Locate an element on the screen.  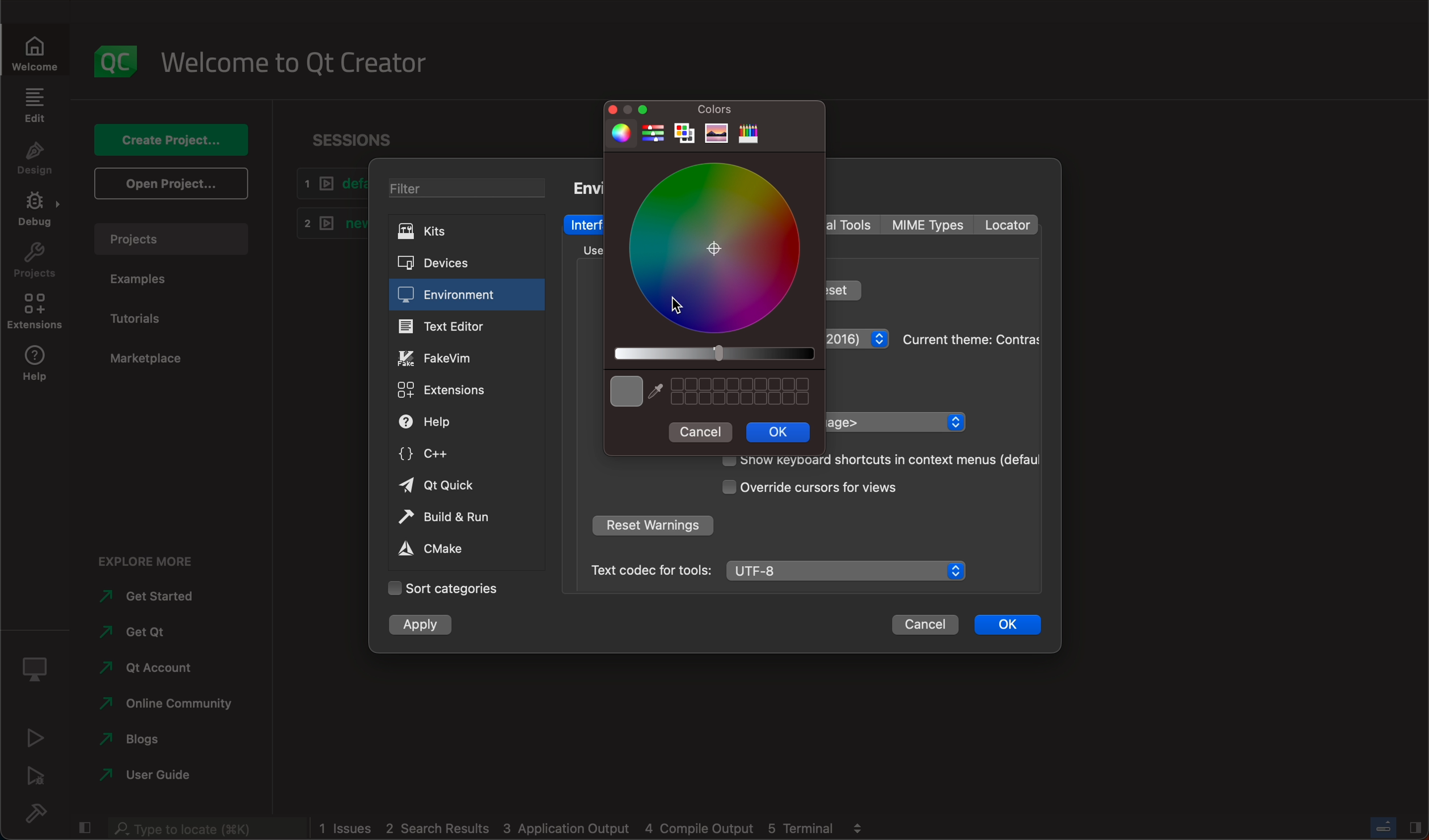
marketplace is located at coordinates (142, 356).